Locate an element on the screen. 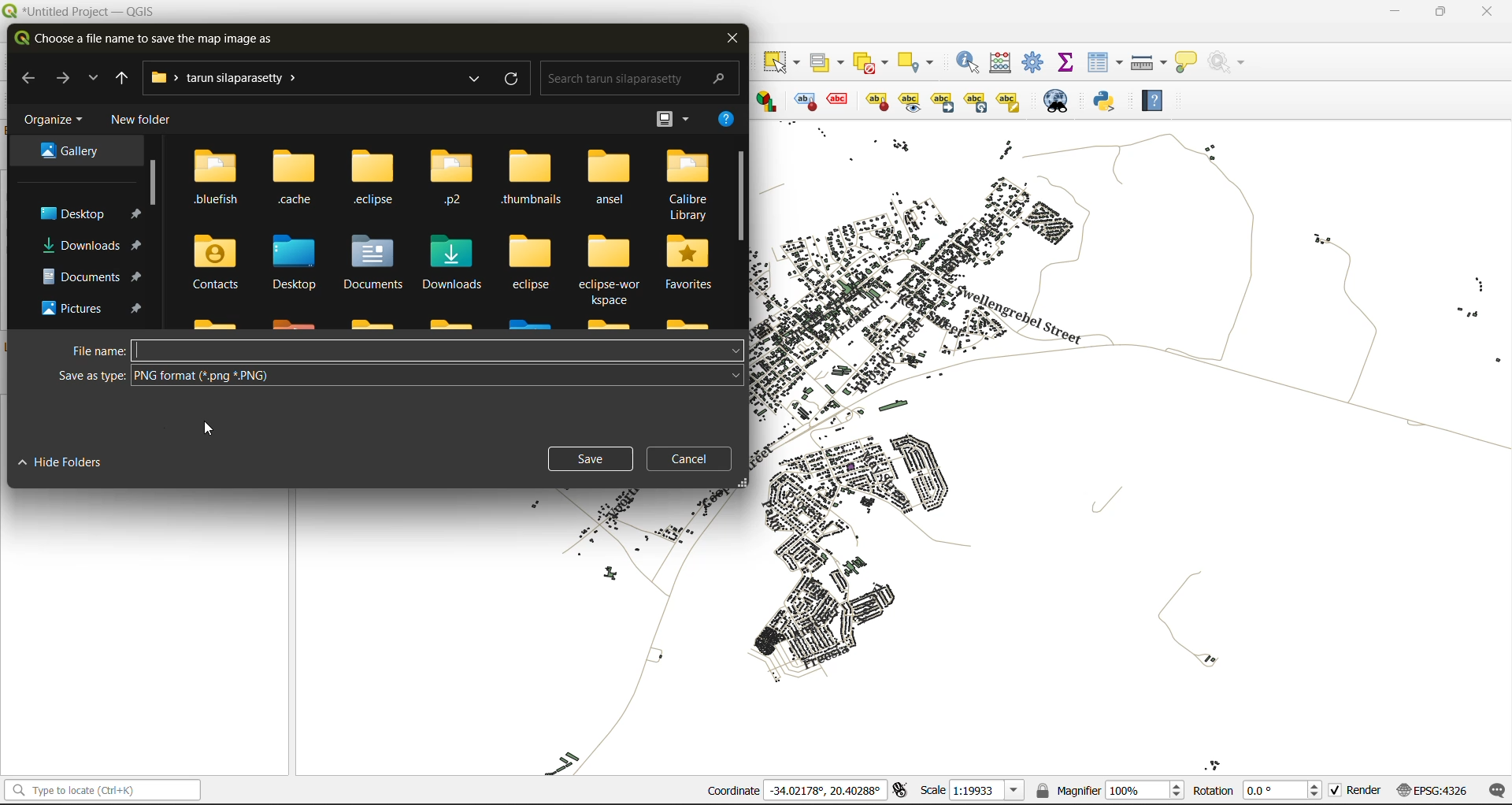 The height and width of the screenshot is (805, 1512). new folder is located at coordinates (139, 121).